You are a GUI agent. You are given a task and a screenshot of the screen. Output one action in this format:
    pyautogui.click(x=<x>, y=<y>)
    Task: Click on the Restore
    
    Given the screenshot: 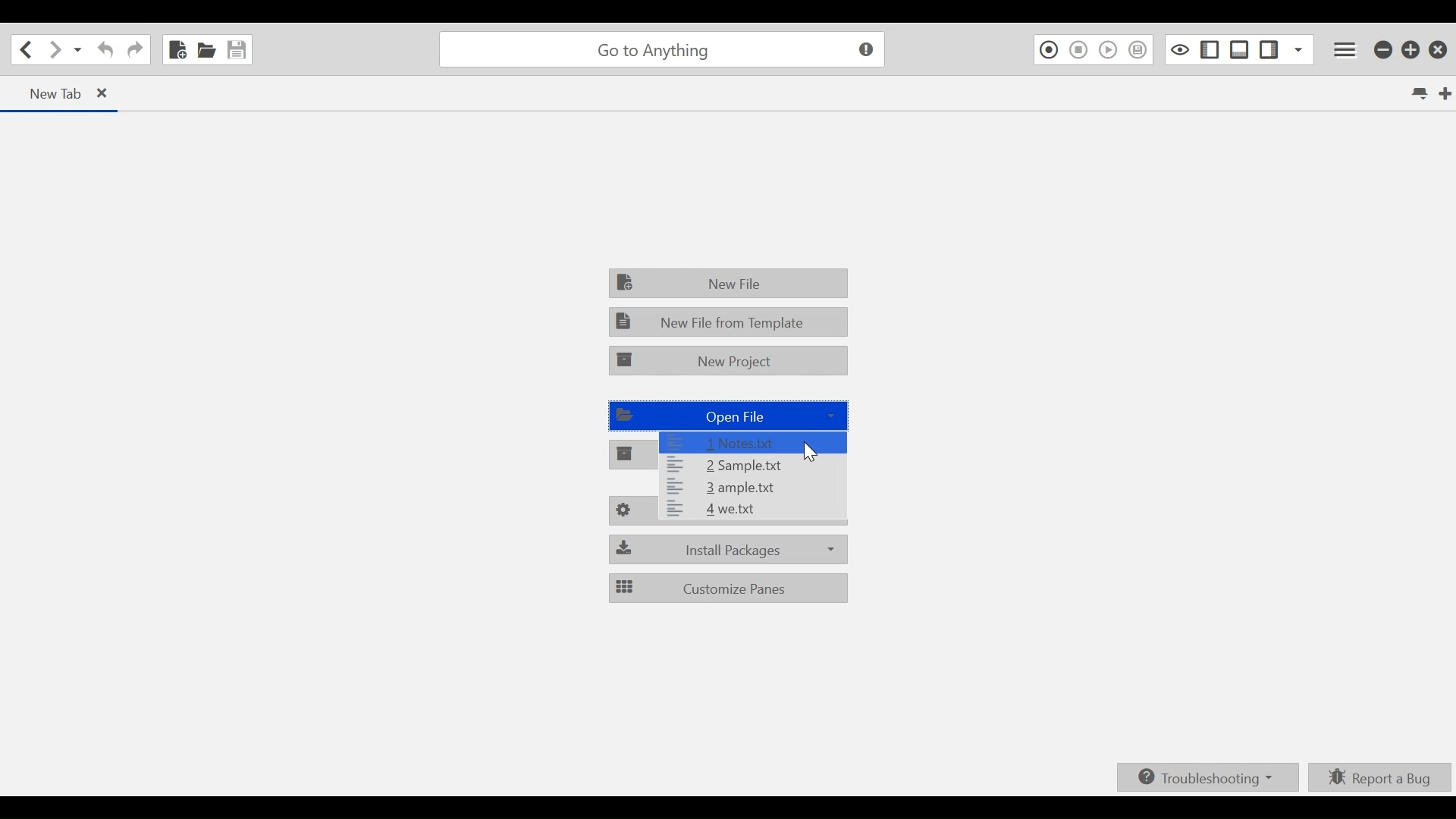 What is the action you would take?
    pyautogui.click(x=1412, y=51)
    